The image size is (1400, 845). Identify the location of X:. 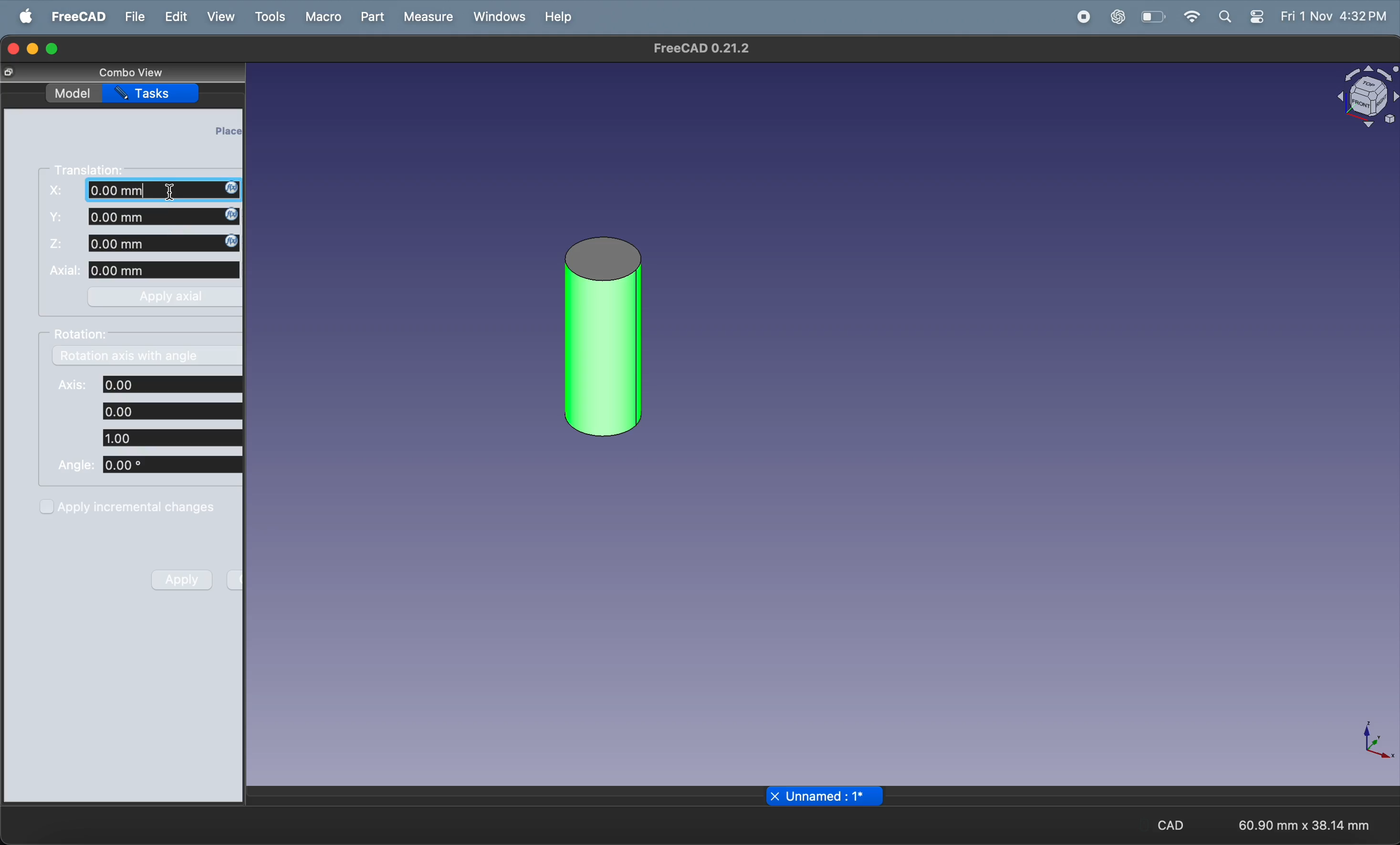
(58, 191).